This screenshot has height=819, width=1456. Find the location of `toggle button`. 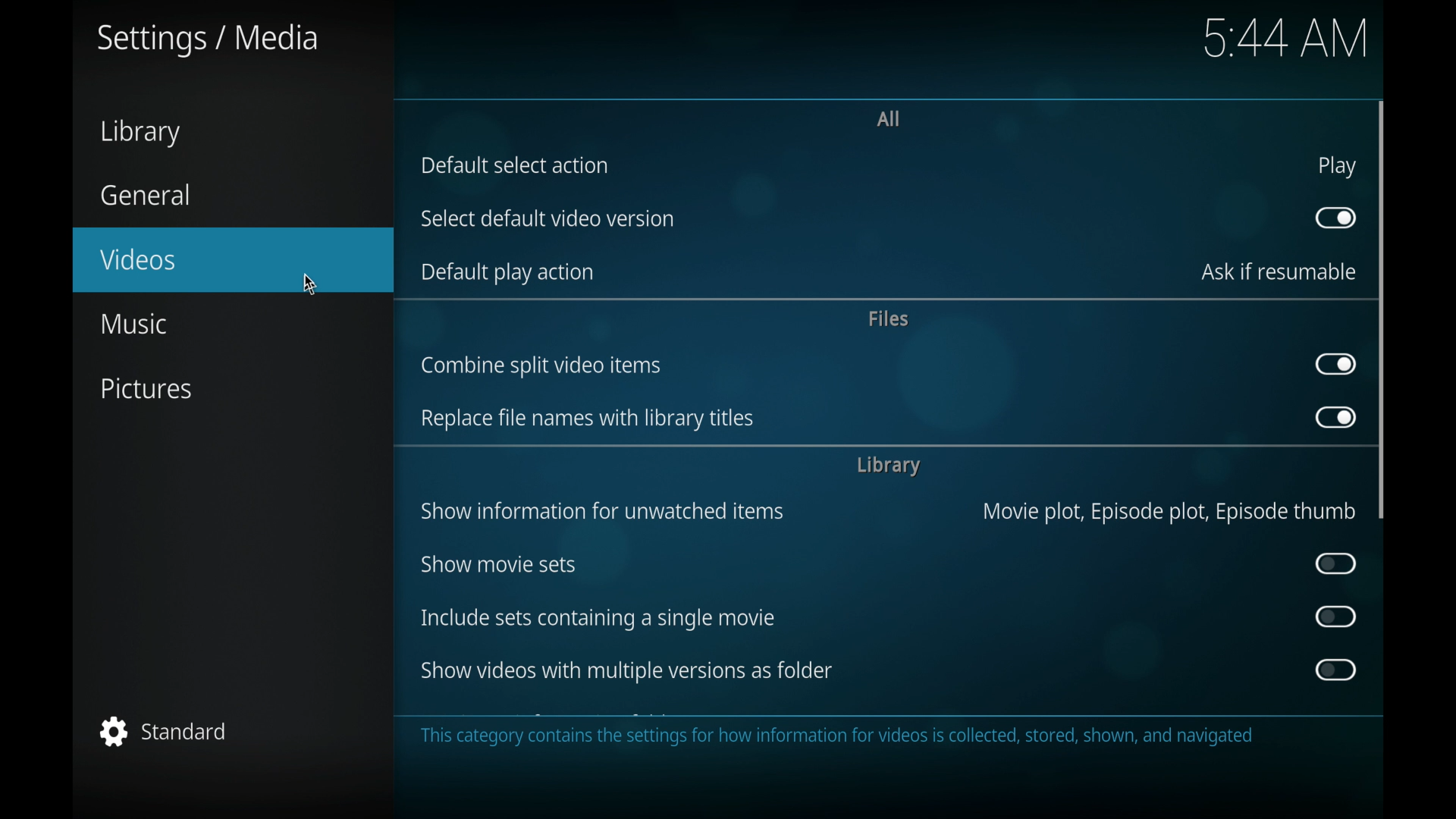

toggle button is located at coordinates (1336, 563).